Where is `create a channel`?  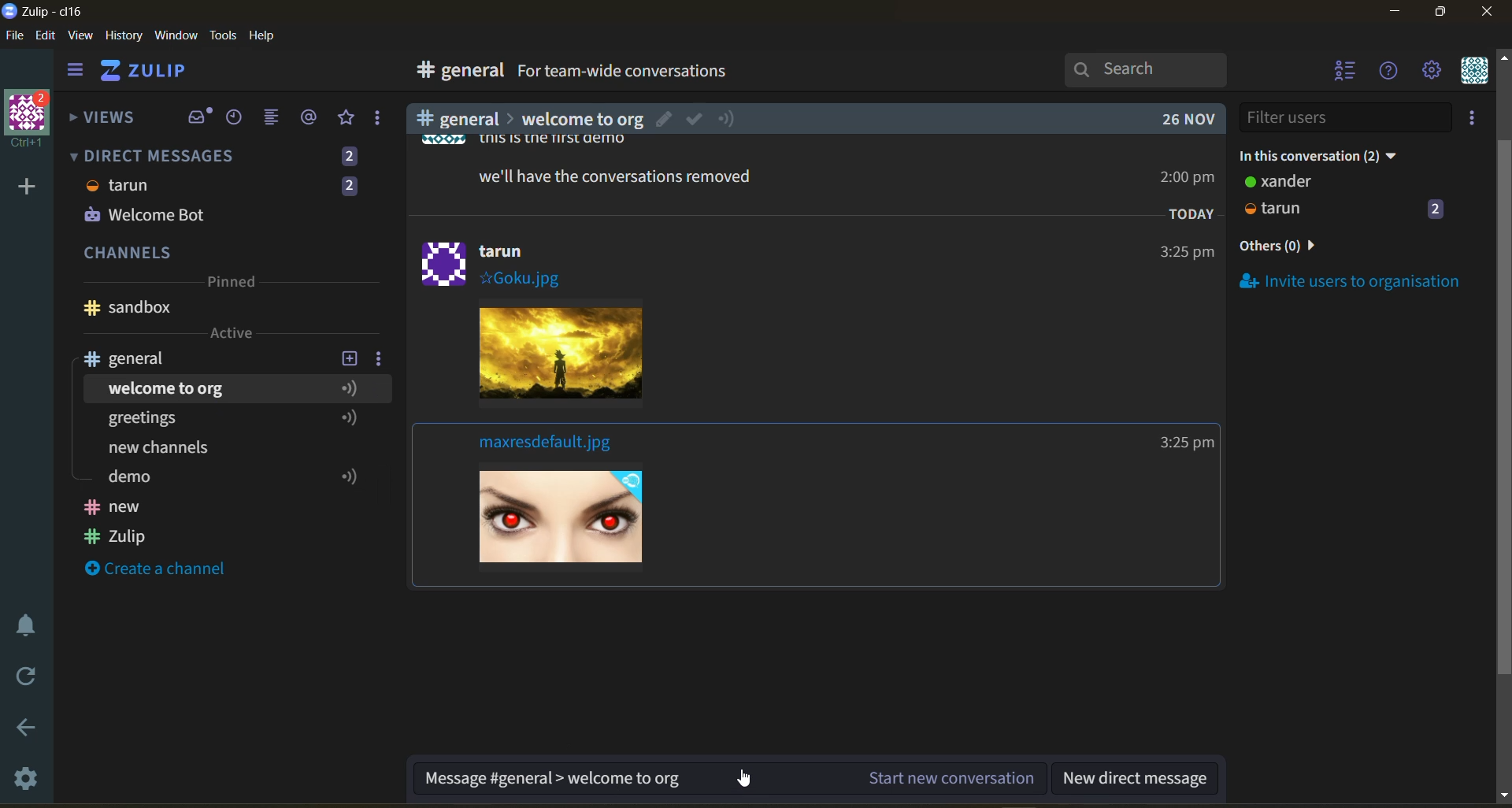 create a channel is located at coordinates (165, 570).